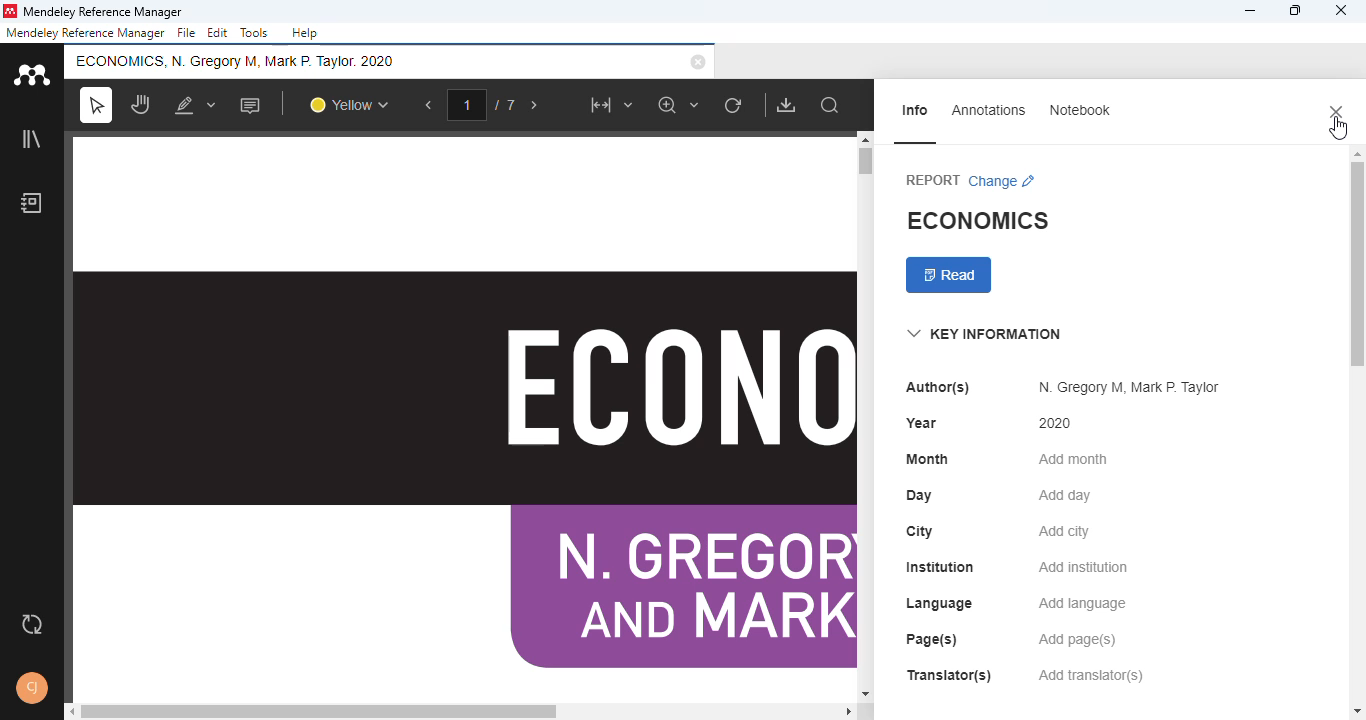 This screenshot has height=720, width=1366. Describe the element at coordinates (484, 105) in the screenshot. I see `1/7` at that location.